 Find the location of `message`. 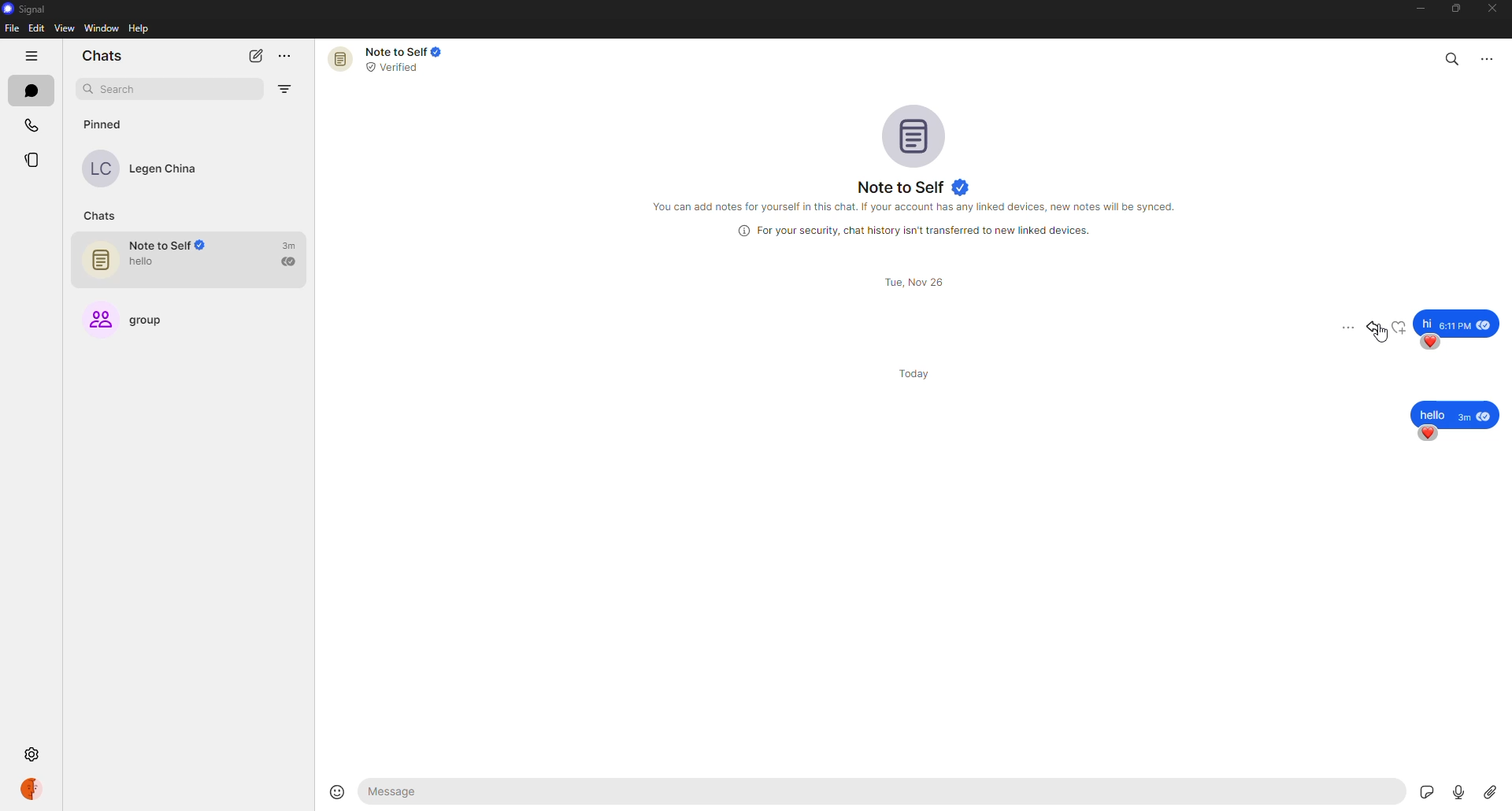

message is located at coordinates (1457, 414).